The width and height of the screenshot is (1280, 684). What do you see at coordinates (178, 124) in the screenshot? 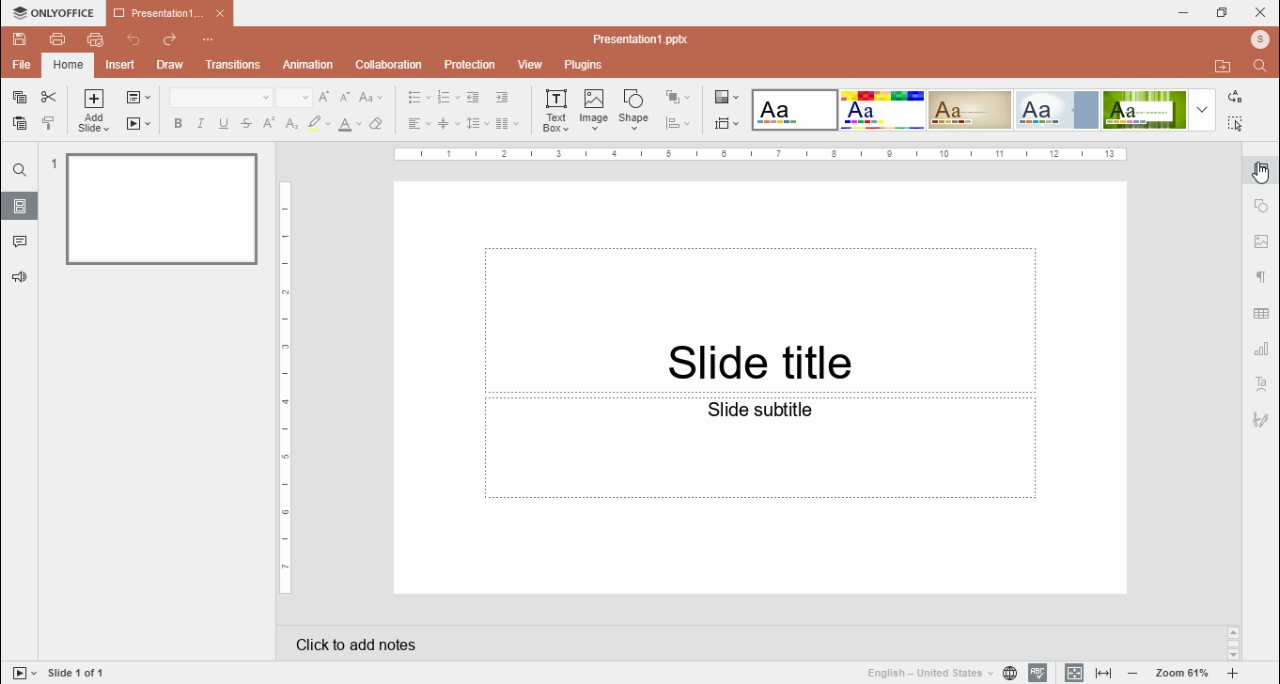
I see `bold` at bounding box center [178, 124].